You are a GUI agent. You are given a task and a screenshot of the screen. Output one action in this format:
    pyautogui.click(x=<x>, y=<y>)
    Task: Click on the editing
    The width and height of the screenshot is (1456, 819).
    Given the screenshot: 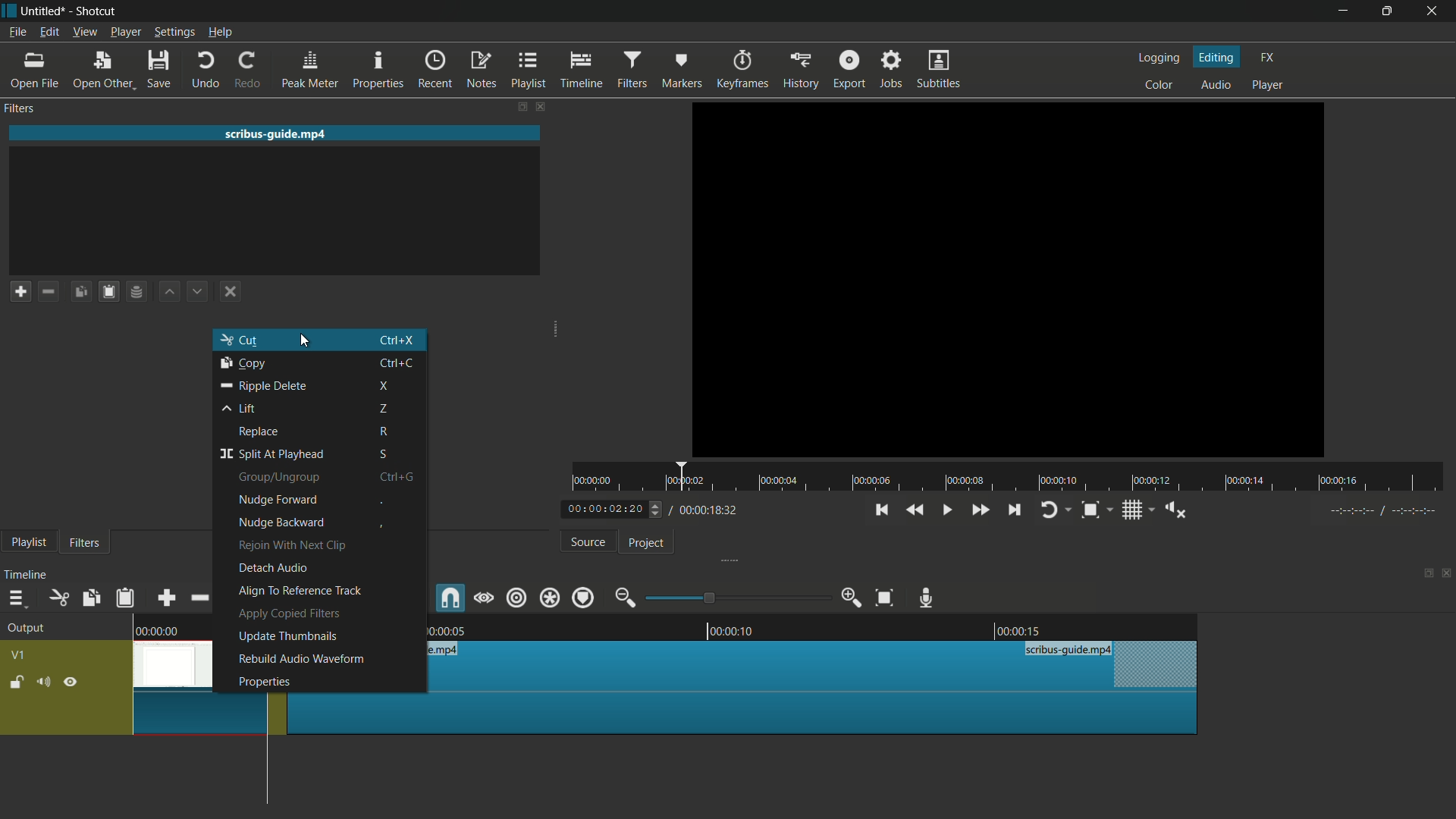 What is the action you would take?
    pyautogui.click(x=1218, y=56)
    